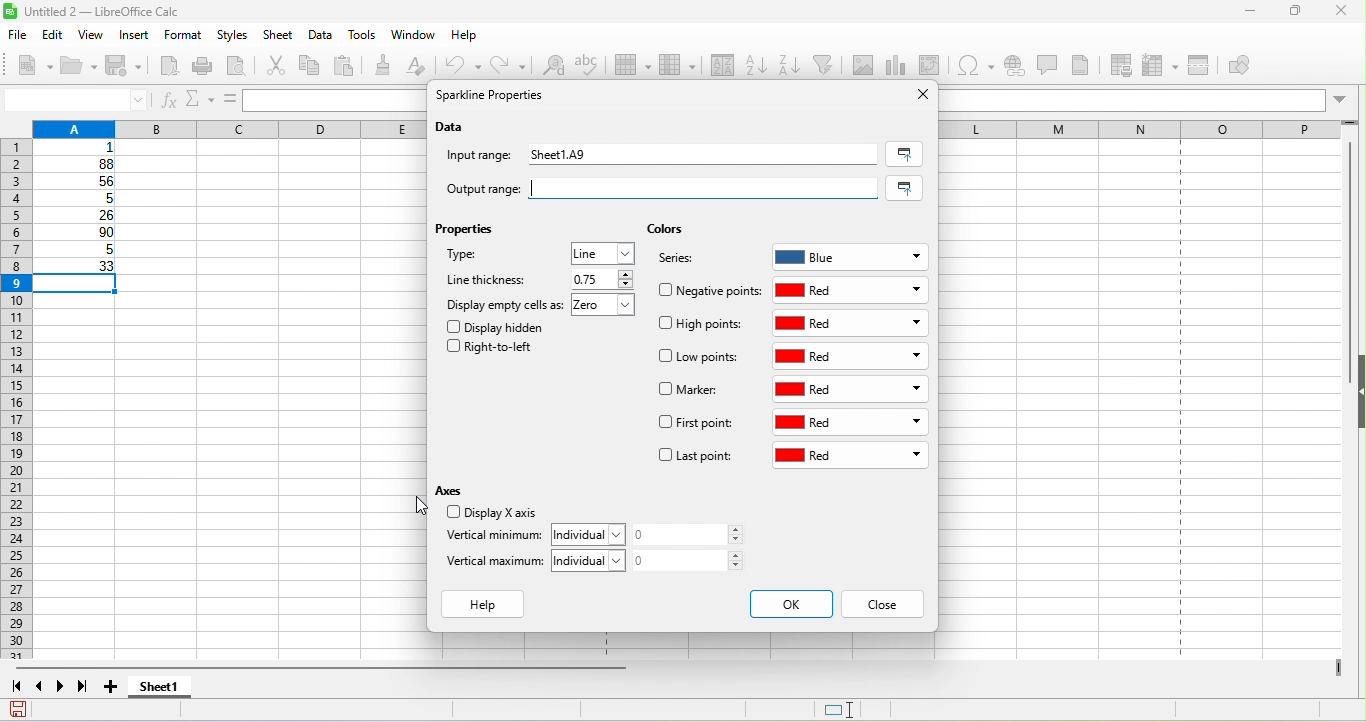 This screenshot has width=1366, height=722. Describe the element at coordinates (700, 156) in the screenshot. I see `sheet 1 a9` at that location.